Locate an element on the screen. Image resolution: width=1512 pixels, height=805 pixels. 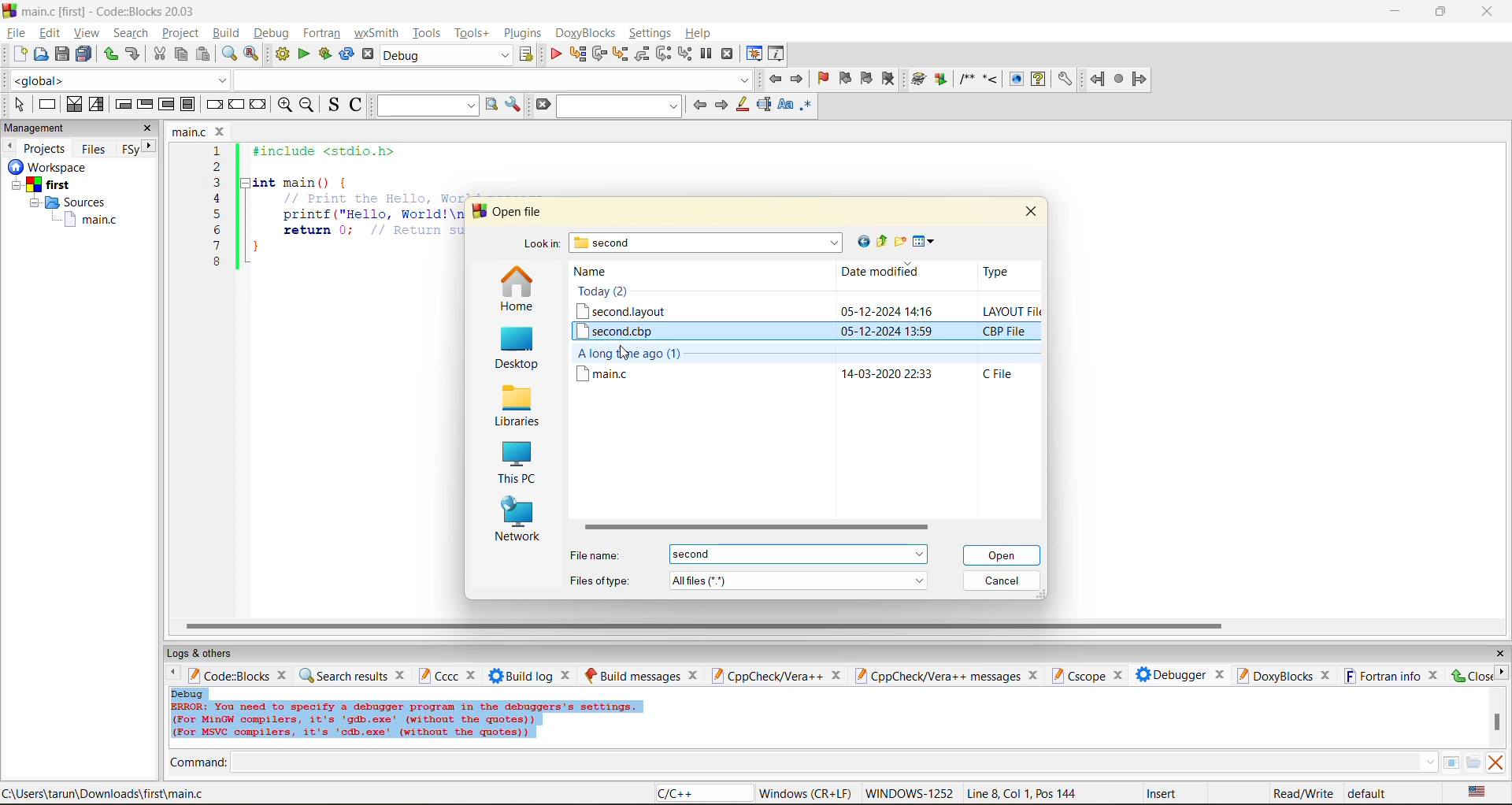
app name and file name is located at coordinates (112, 10).